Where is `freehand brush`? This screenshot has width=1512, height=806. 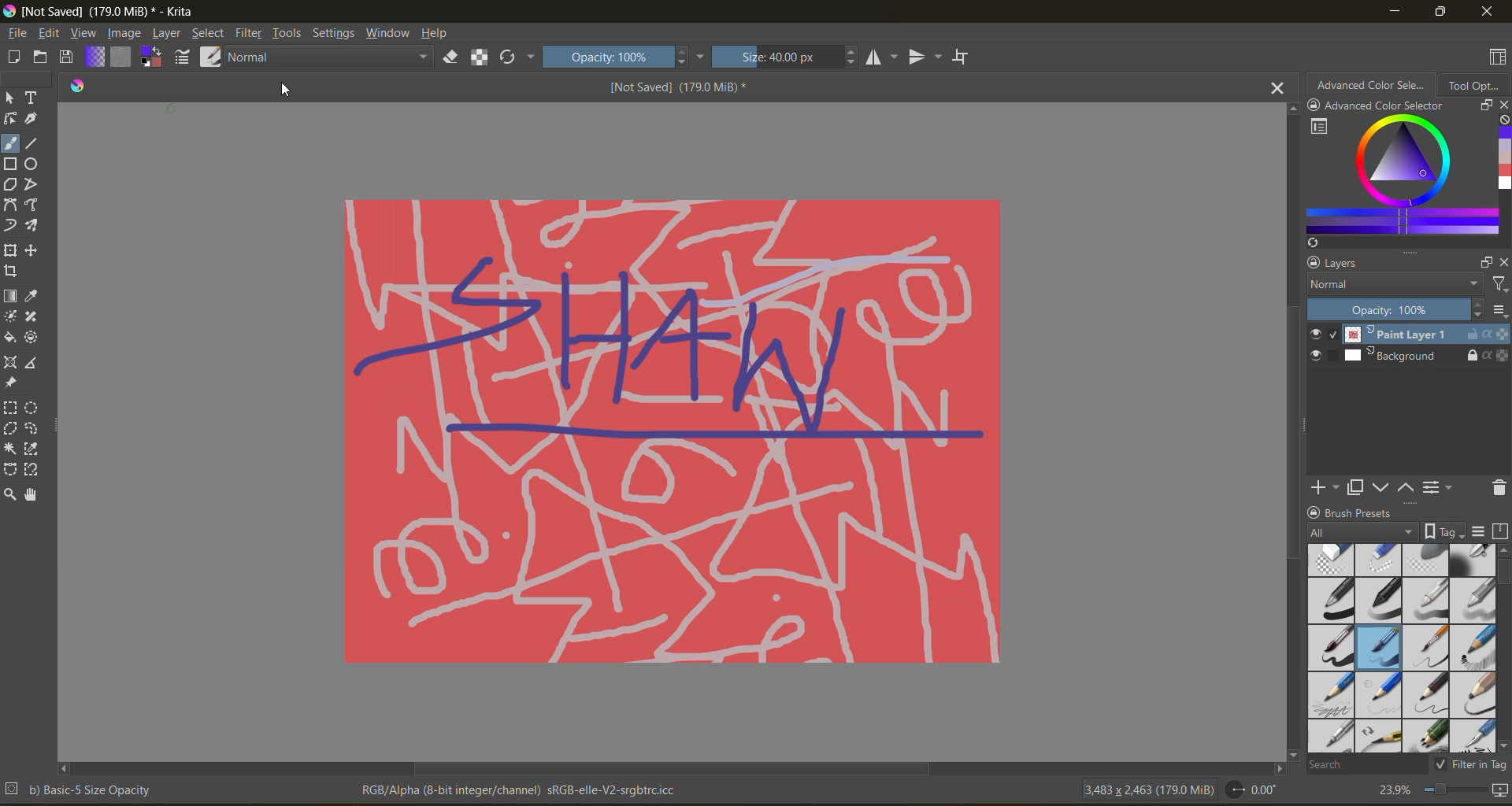 freehand brush is located at coordinates (9, 142).